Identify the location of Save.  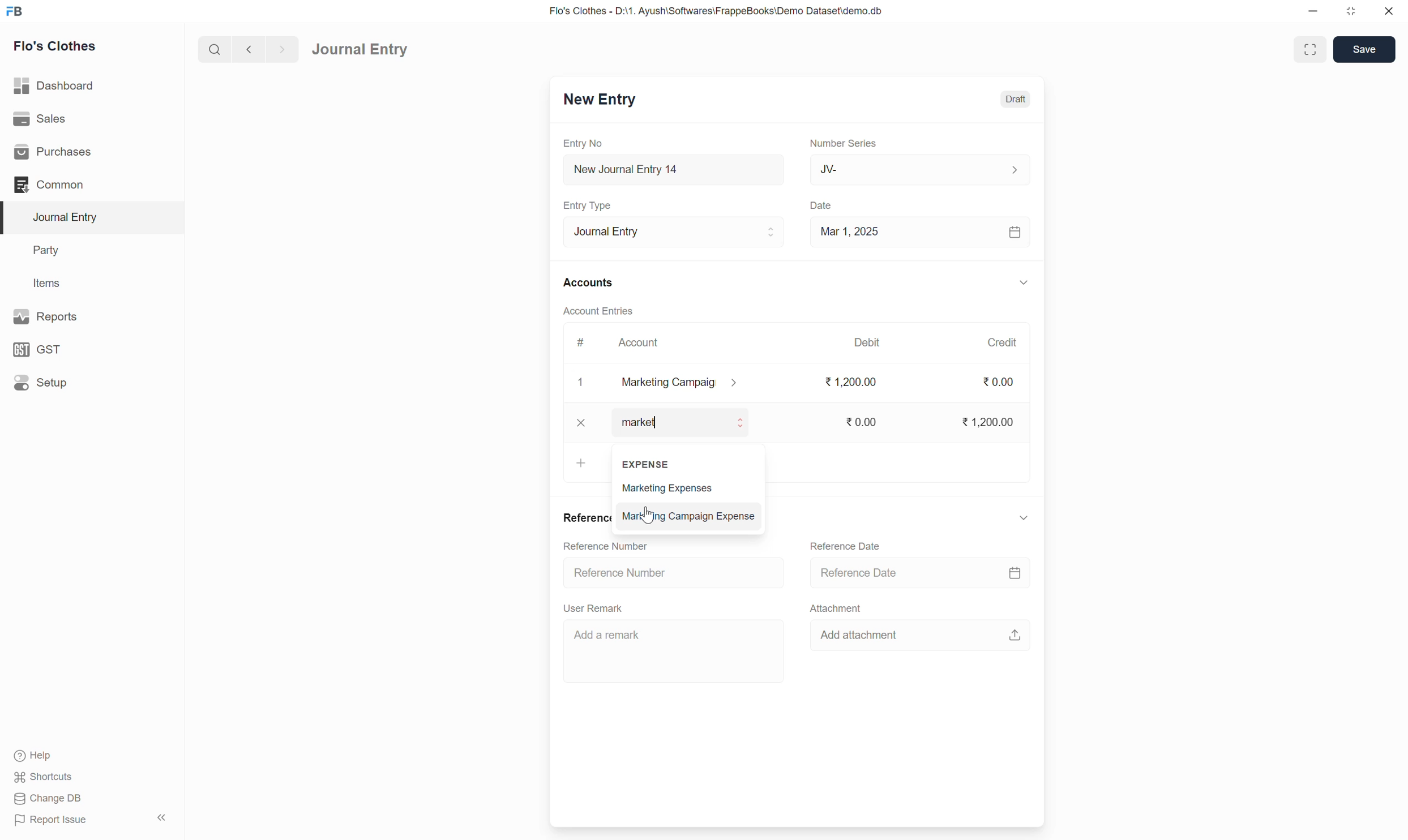
(1365, 50).